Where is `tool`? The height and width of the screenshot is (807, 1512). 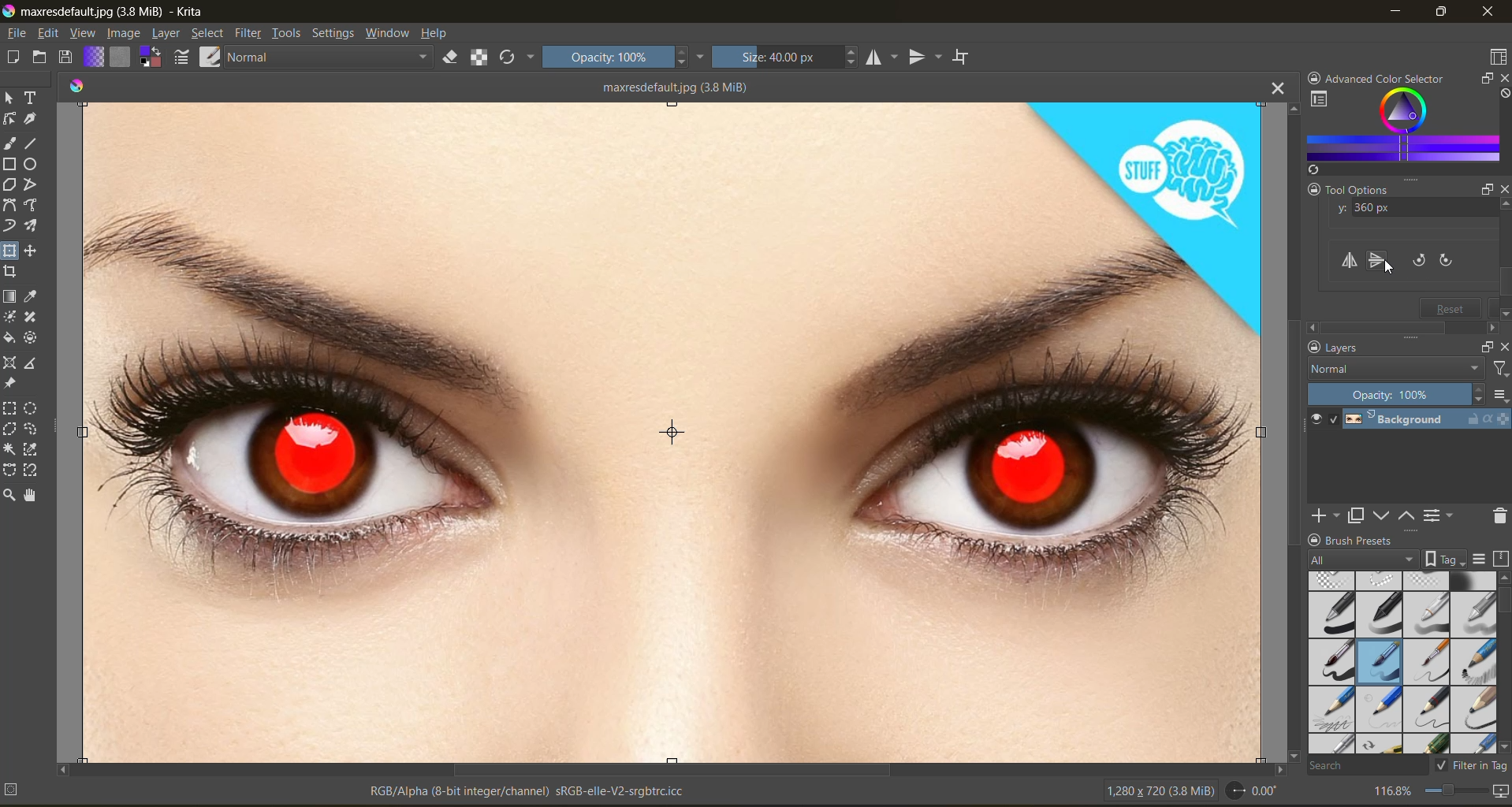
tool is located at coordinates (11, 164).